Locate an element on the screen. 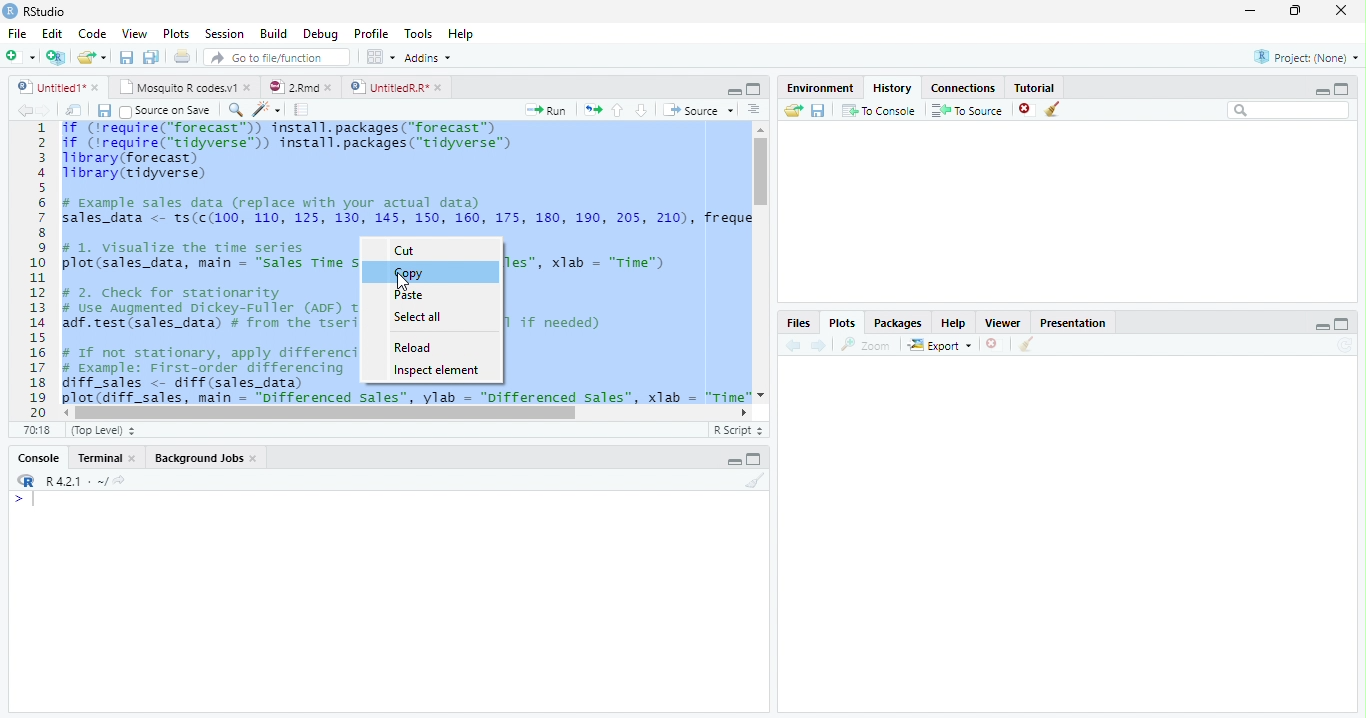 This screenshot has width=1366, height=718. Session is located at coordinates (226, 34).